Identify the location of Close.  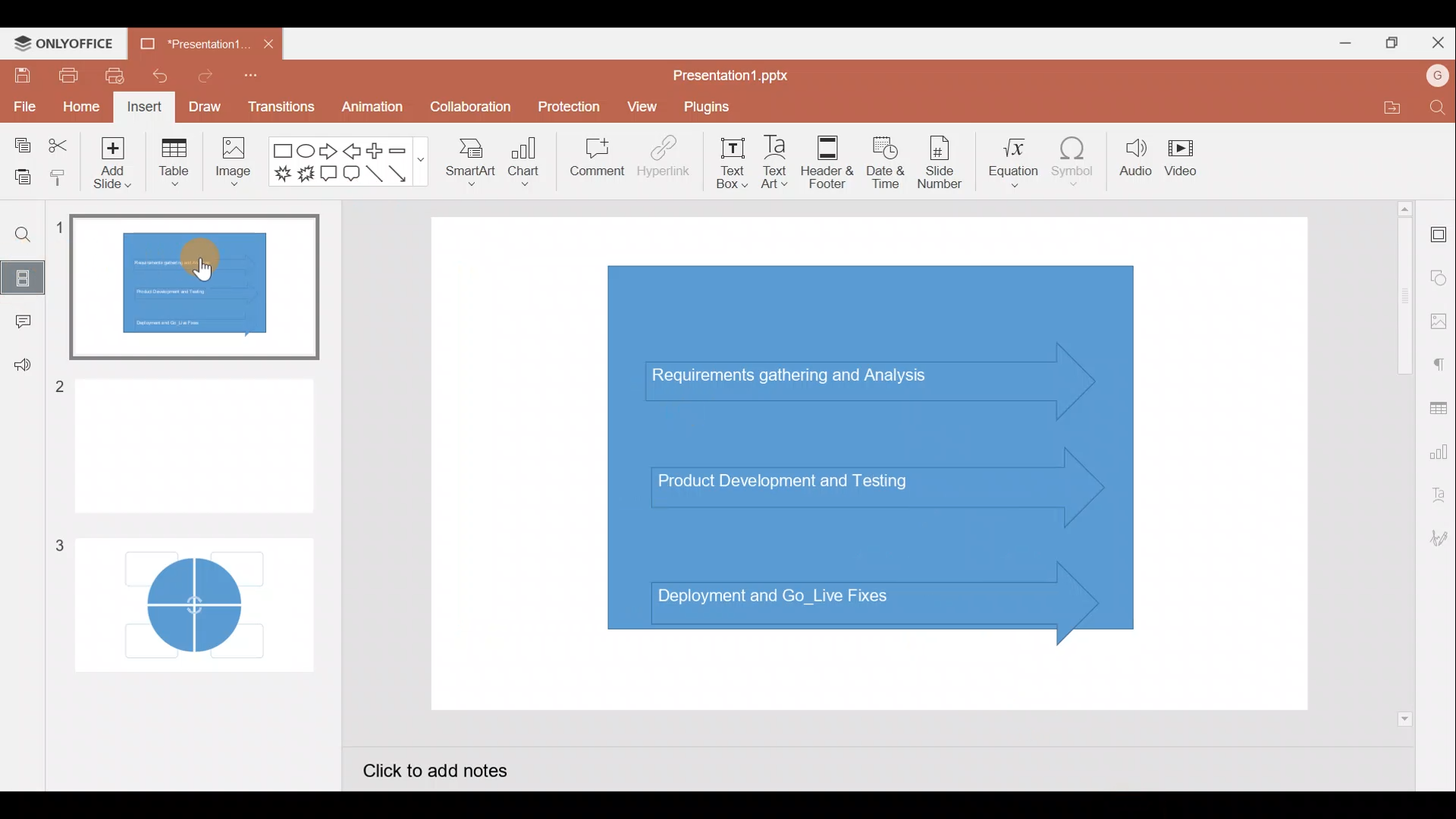
(1439, 40).